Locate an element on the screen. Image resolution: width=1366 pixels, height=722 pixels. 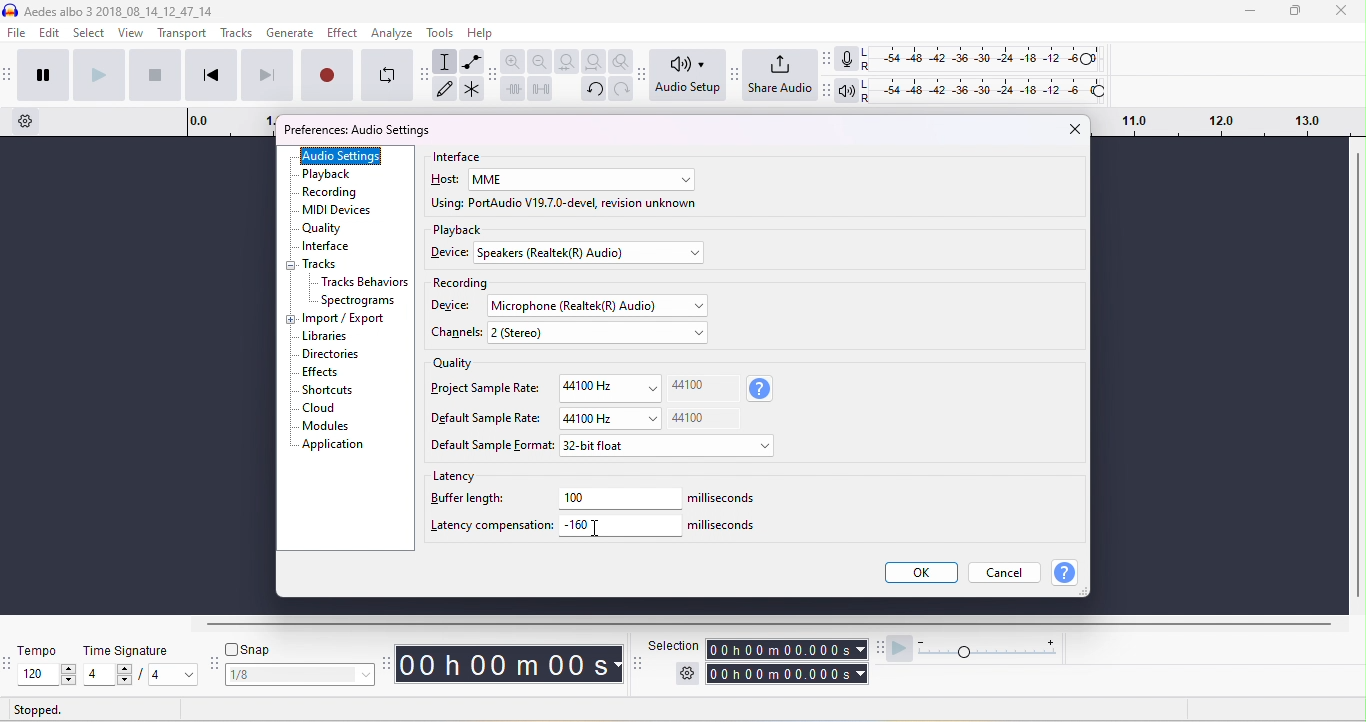
transport is located at coordinates (183, 34).